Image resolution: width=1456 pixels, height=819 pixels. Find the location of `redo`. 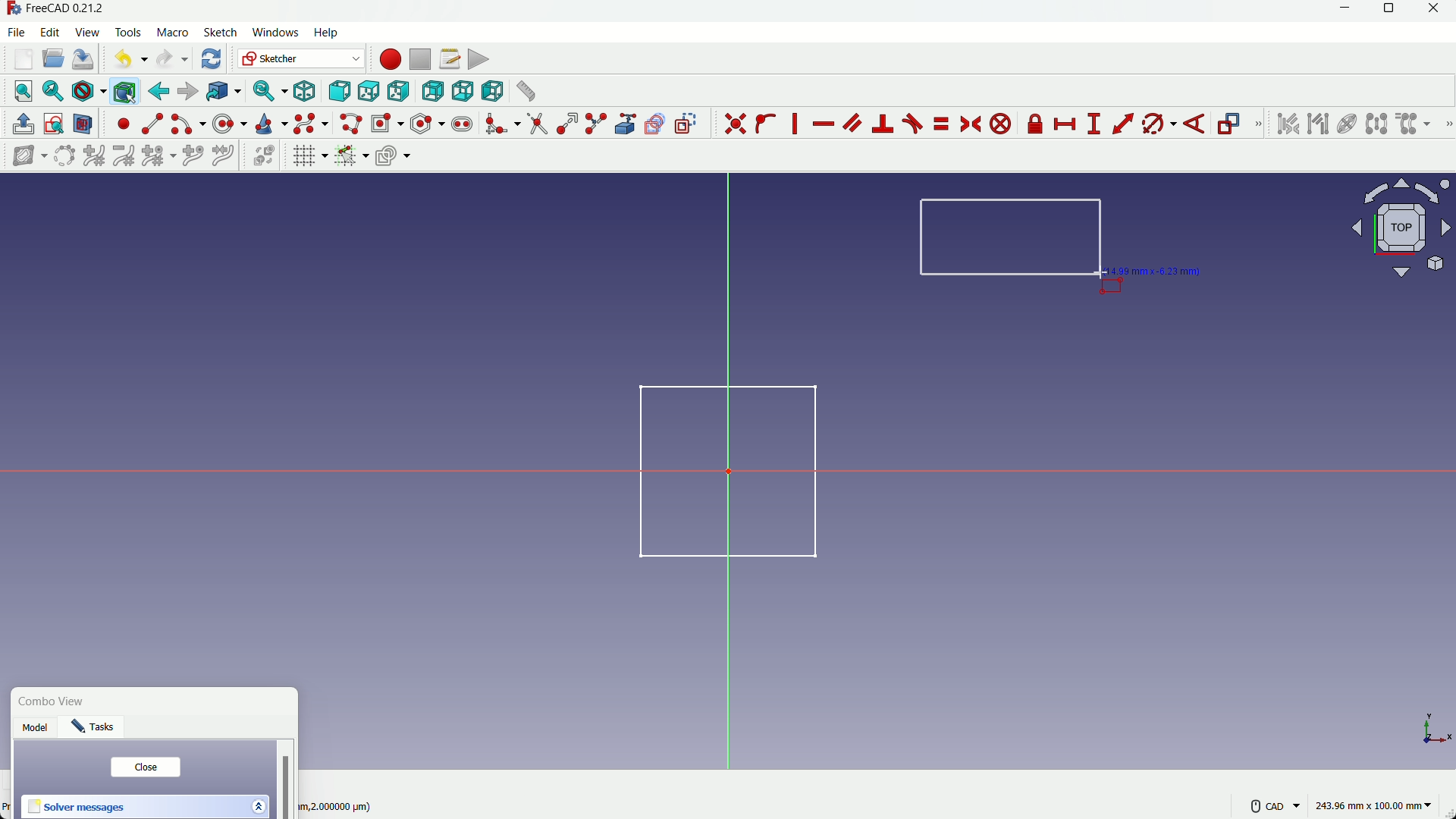

redo is located at coordinates (172, 59).